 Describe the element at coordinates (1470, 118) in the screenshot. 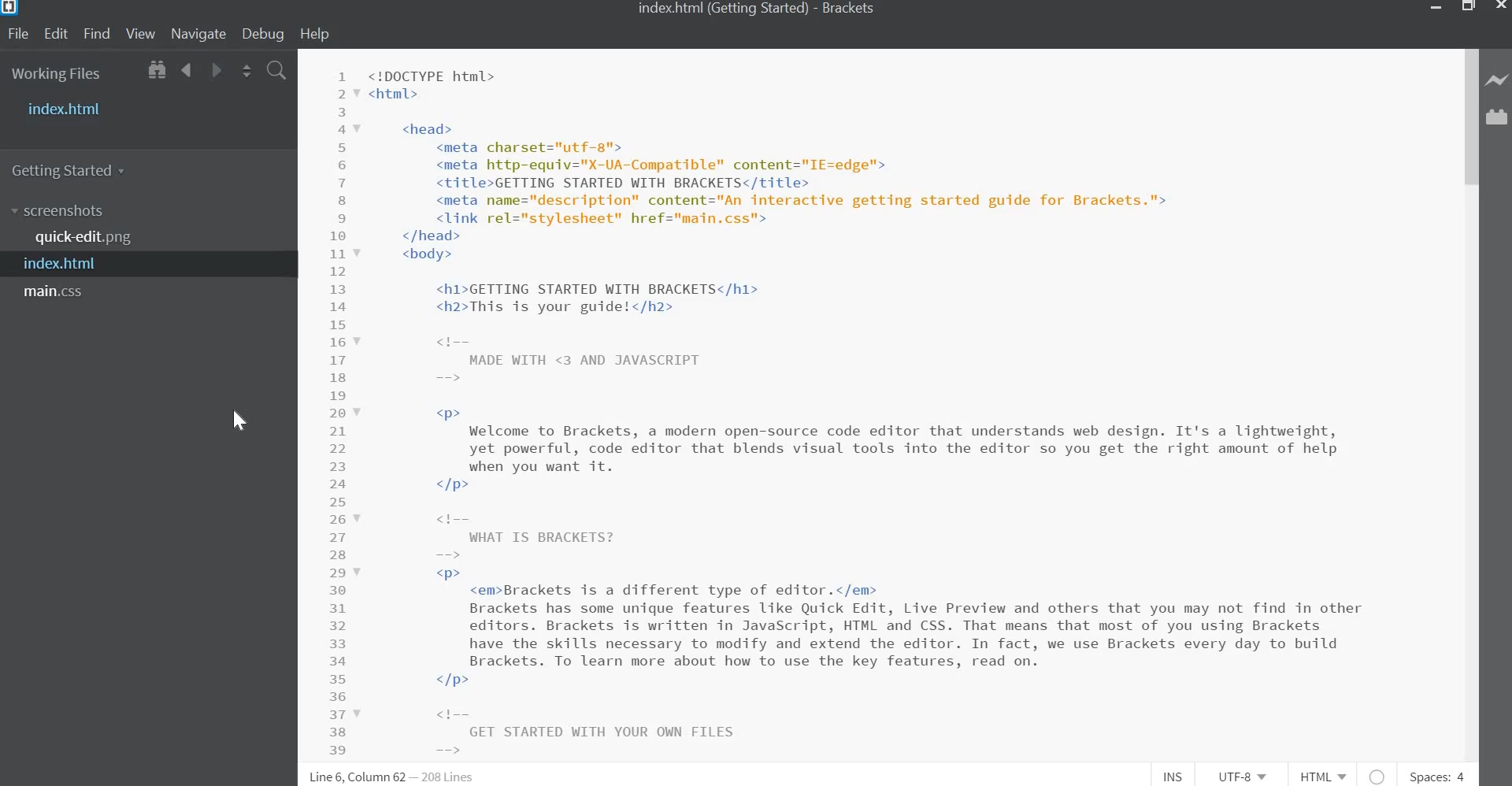

I see `Vertical Scroll bar` at that location.